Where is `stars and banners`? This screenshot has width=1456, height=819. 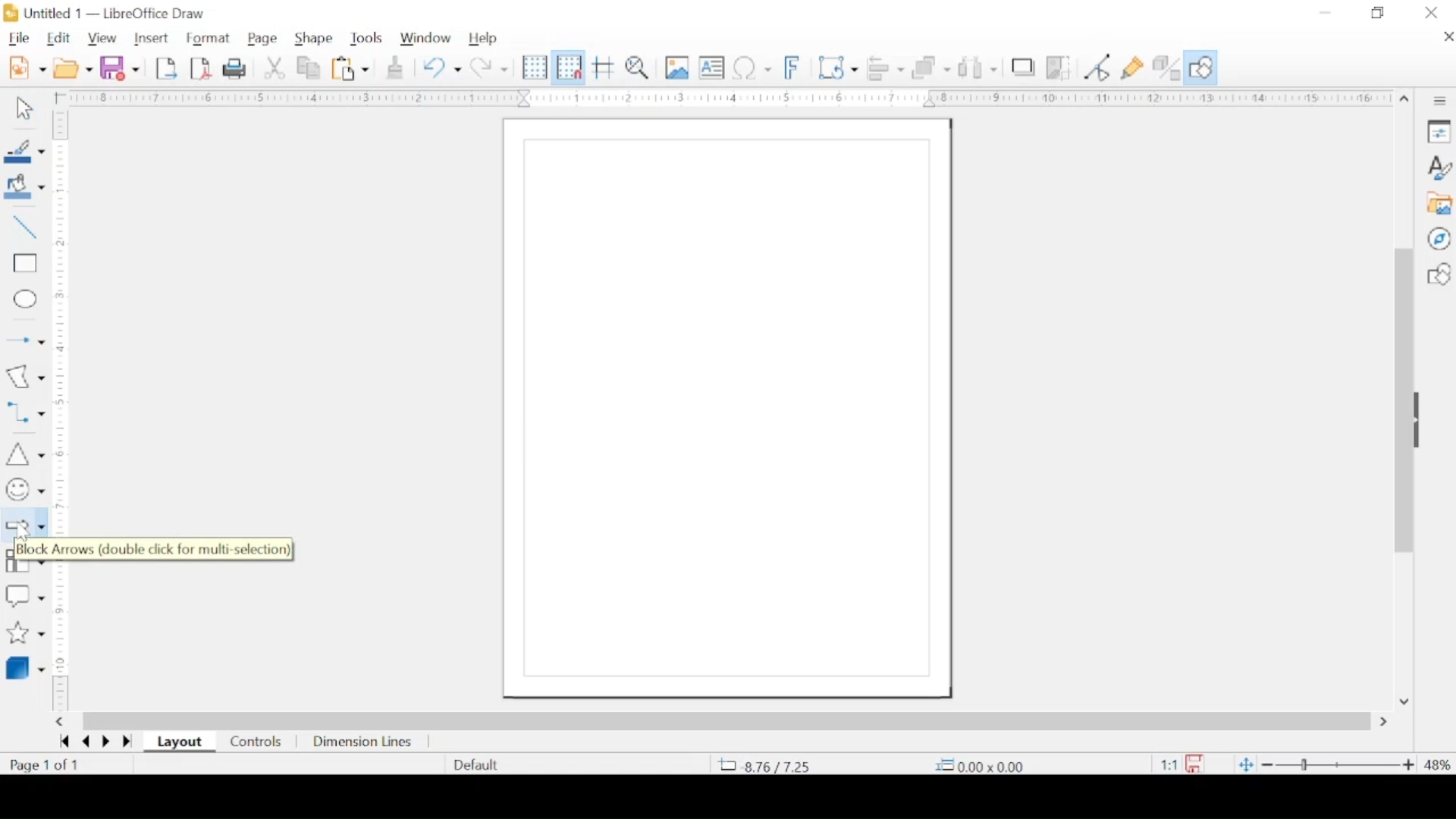
stars and banners is located at coordinates (25, 634).